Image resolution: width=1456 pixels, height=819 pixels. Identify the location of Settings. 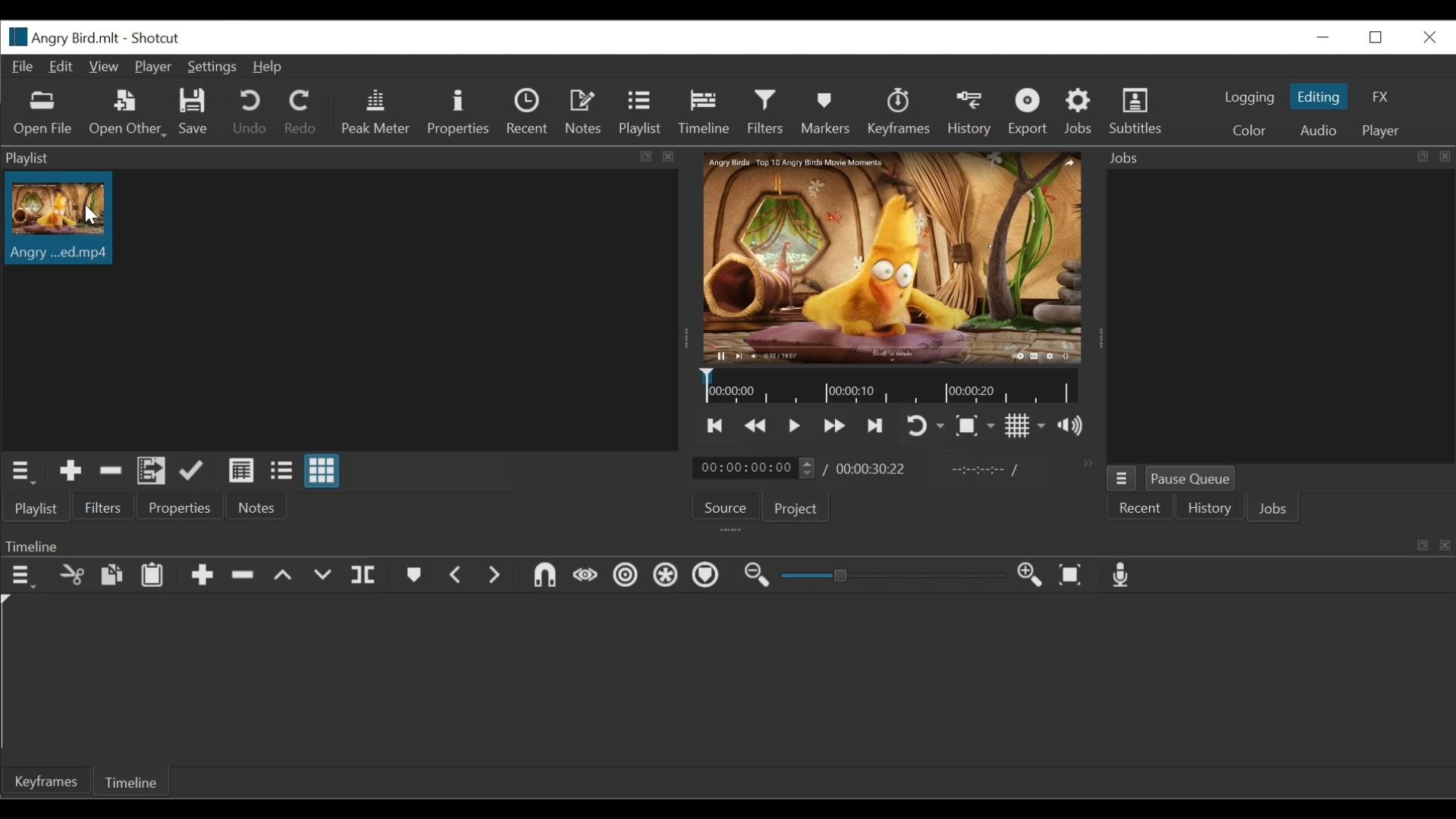
(210, 67).